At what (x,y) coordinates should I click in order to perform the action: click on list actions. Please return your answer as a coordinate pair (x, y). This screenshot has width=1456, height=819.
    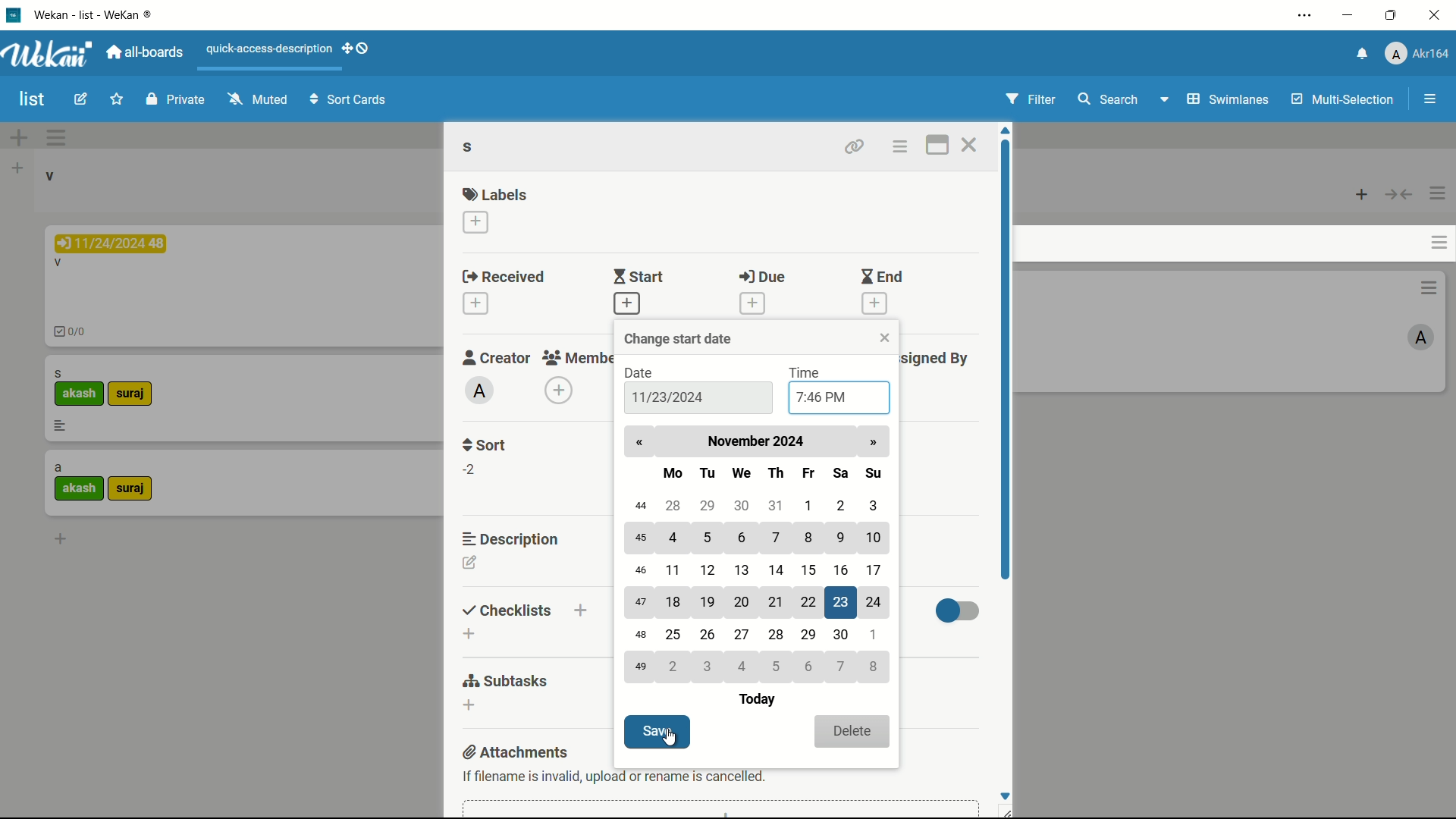
    Looking at the image, I should click on (1437, 195).